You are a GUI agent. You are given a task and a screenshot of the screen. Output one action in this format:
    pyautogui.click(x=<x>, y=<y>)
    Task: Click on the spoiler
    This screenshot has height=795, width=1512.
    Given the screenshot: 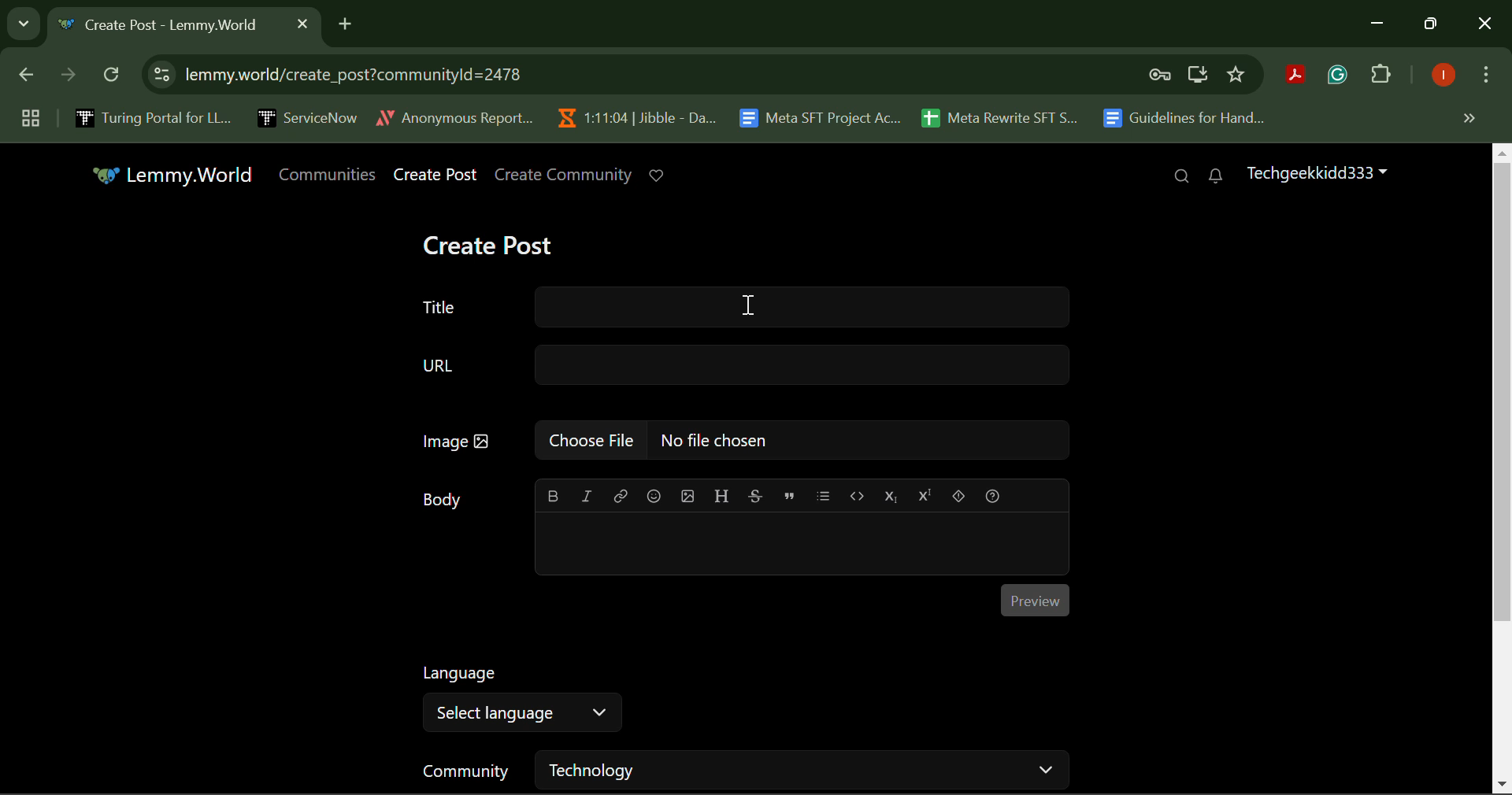 What is the action you would take?
    pyautogui.click(x=959, y=496)
    